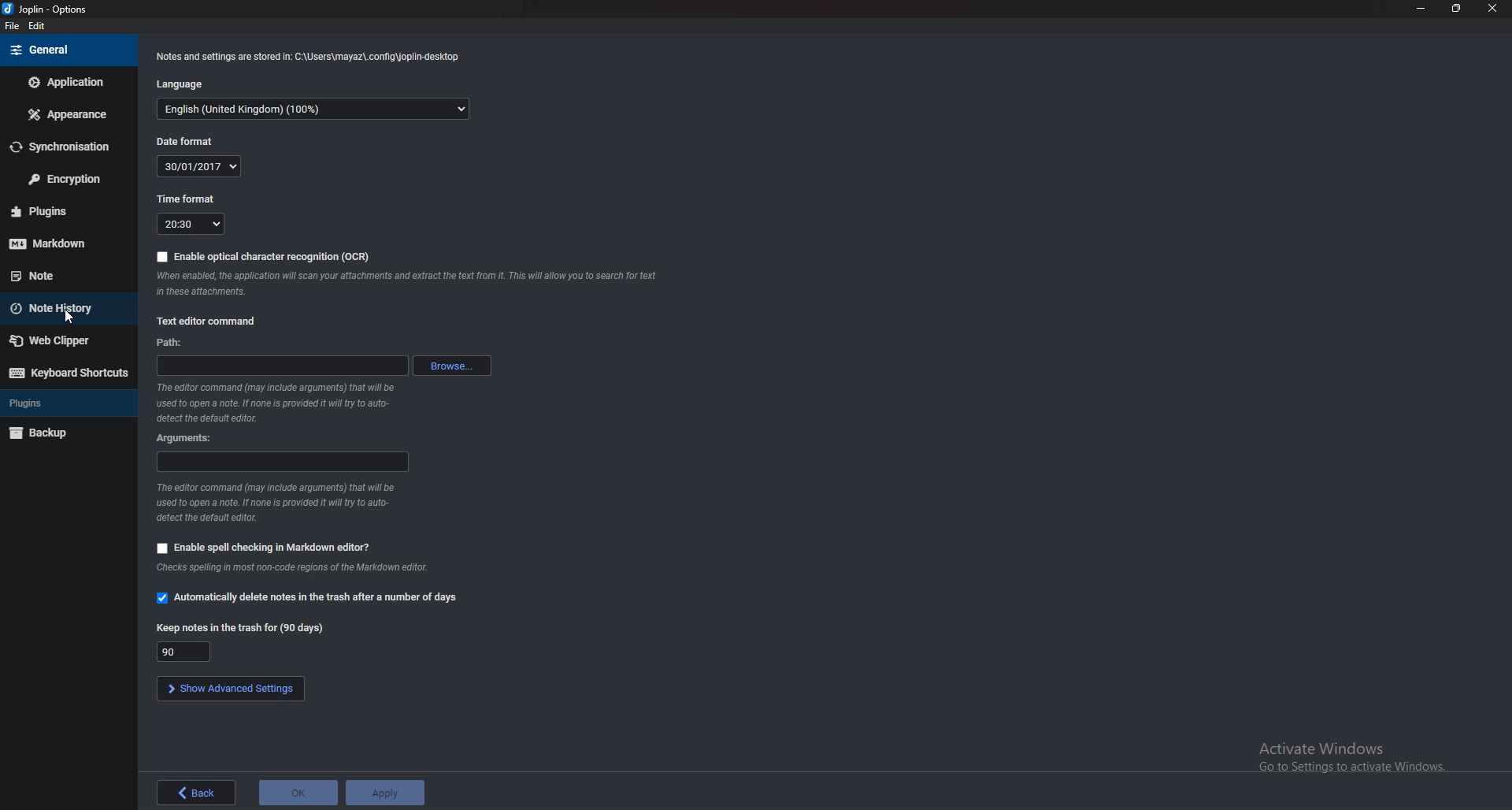  I want to click on Keep notes in the trash for, so click(187, 652).